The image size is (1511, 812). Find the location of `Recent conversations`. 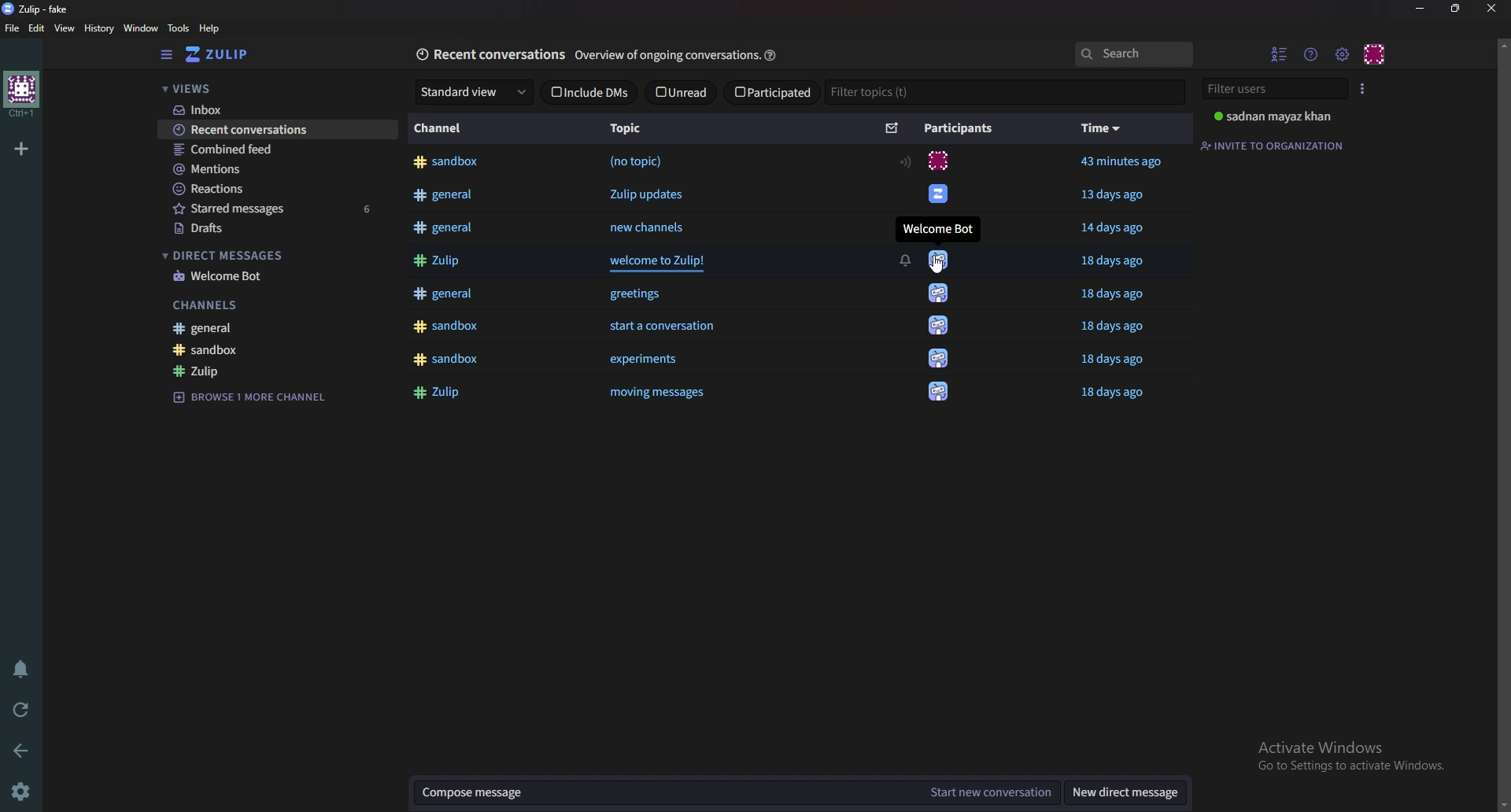

Recent conversations is located at coordinates (275, 132).